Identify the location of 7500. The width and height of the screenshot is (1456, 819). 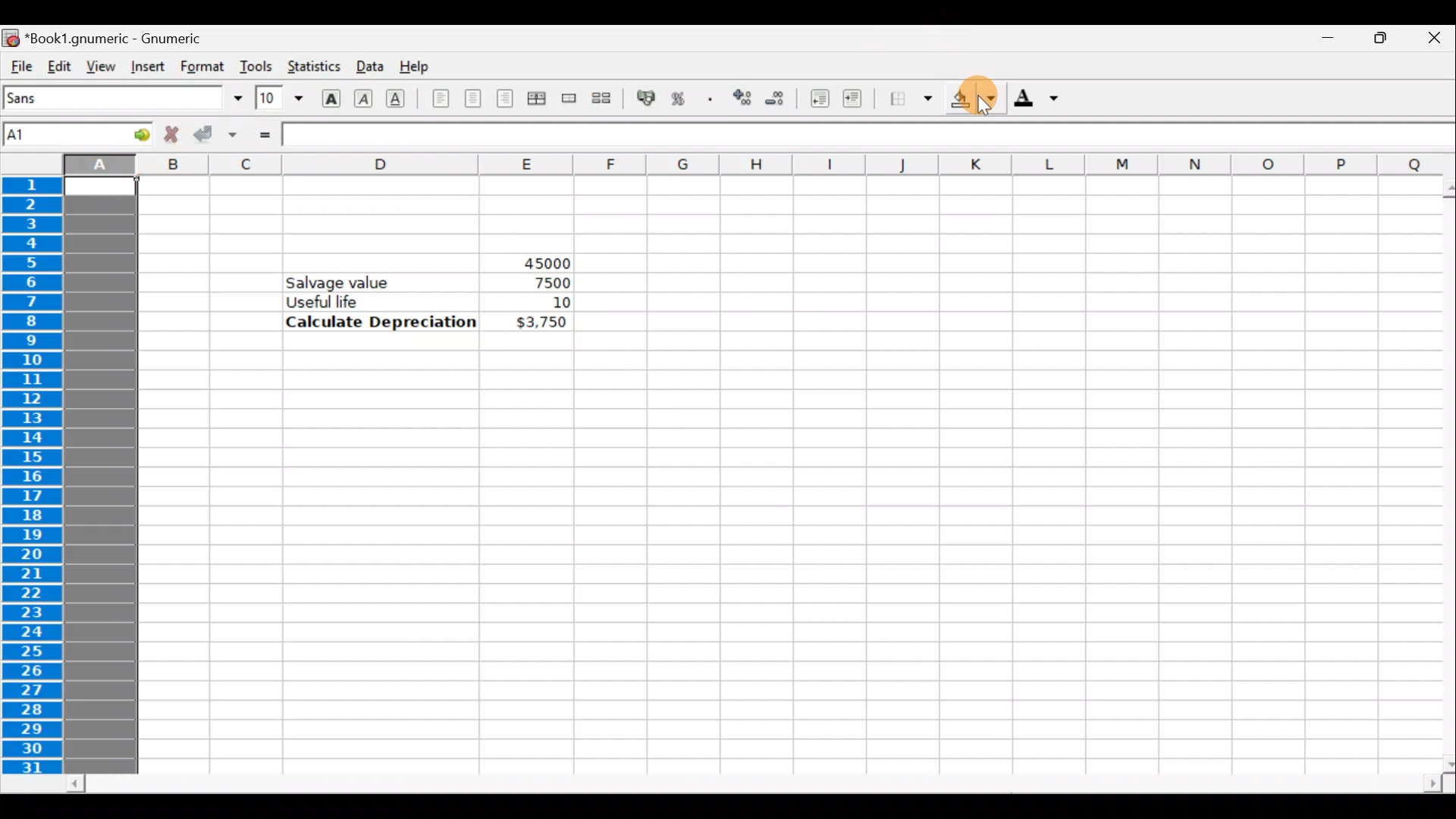
(548, 283).